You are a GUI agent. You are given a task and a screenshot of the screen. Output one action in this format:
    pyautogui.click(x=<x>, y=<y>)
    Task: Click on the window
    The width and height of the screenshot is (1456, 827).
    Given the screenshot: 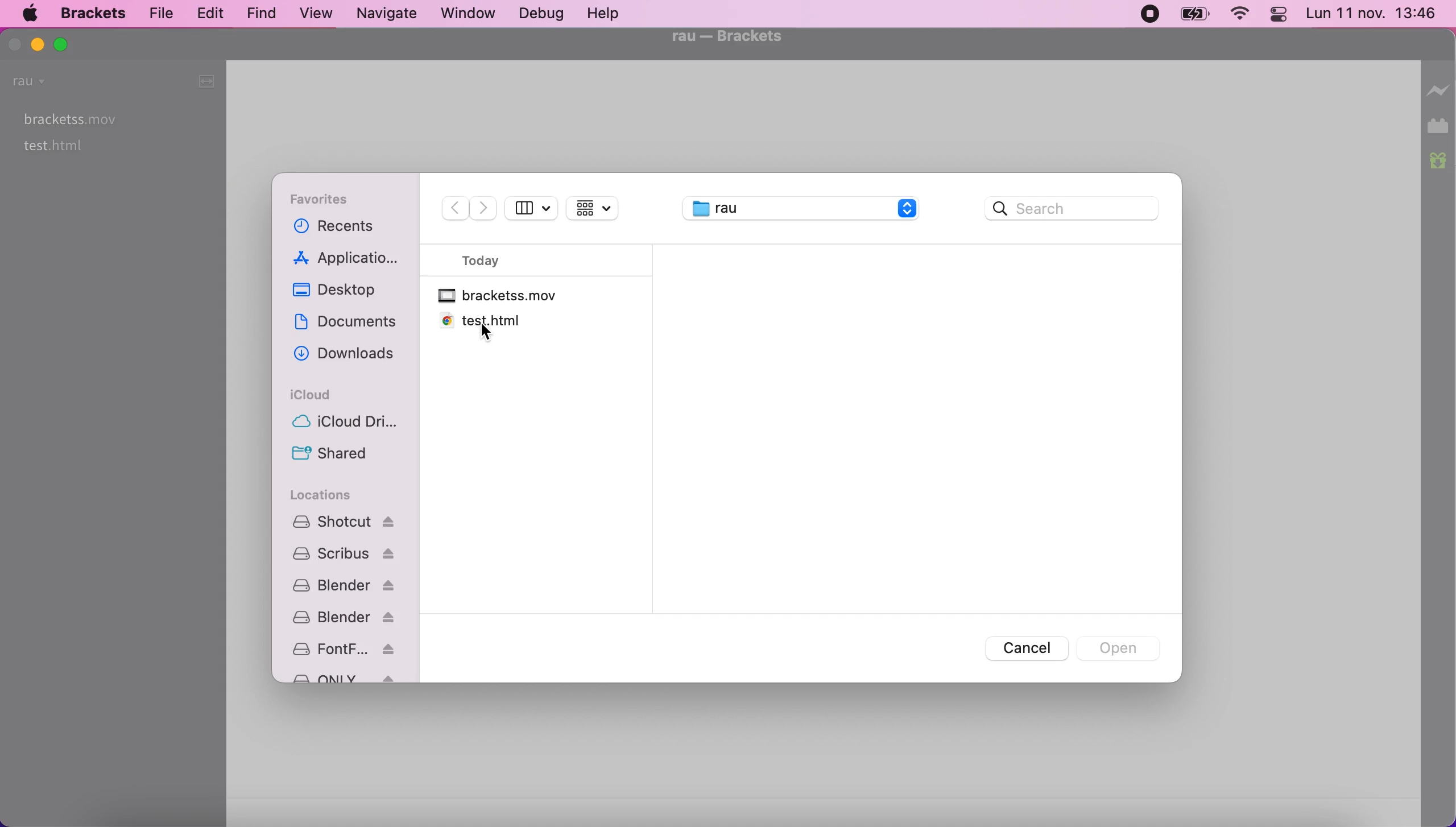 What is the action you would take?
    pyautogui.click(x=471, y=14)
    